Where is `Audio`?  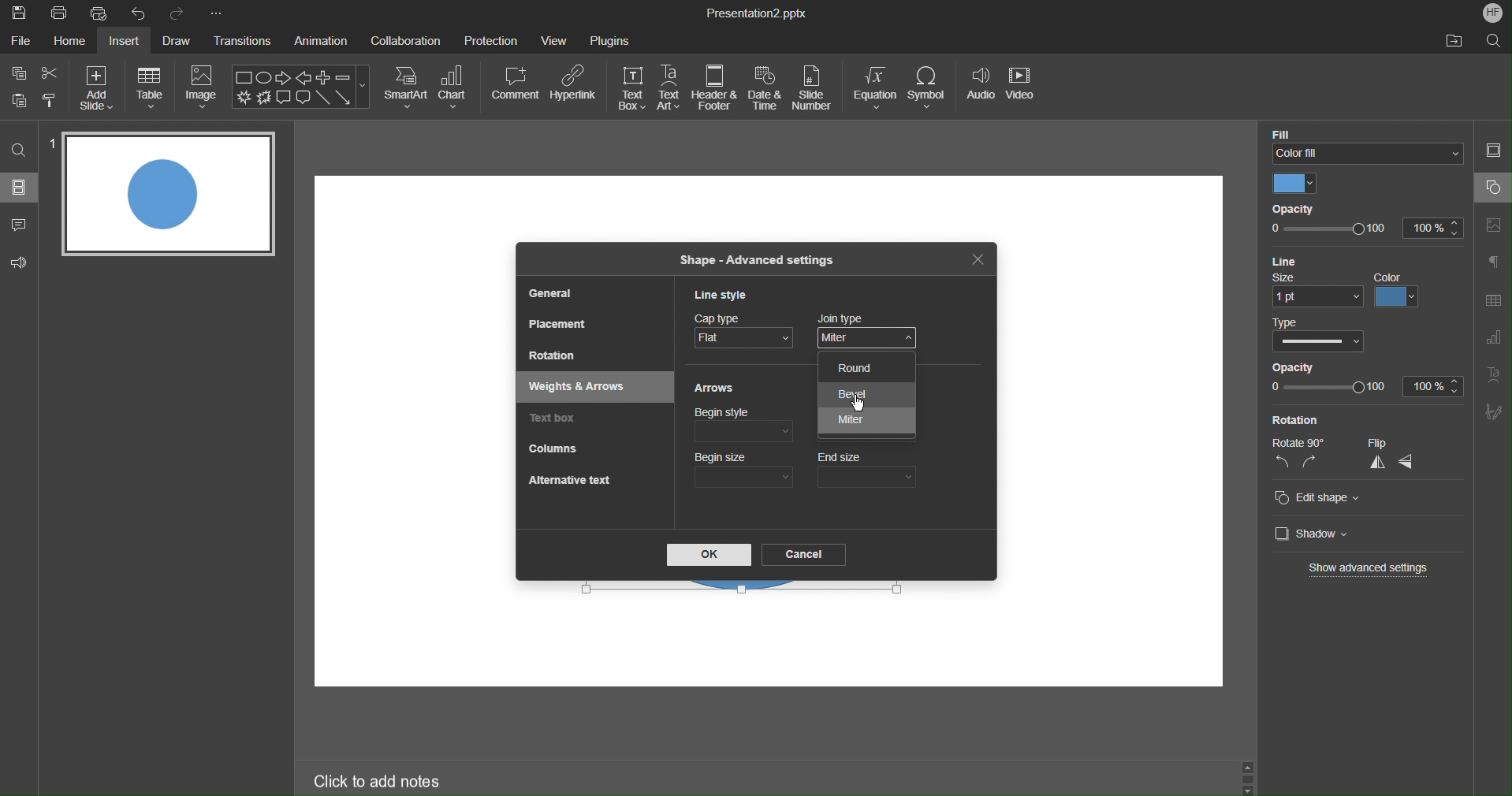
Audio is located at coordinates (979, 90).